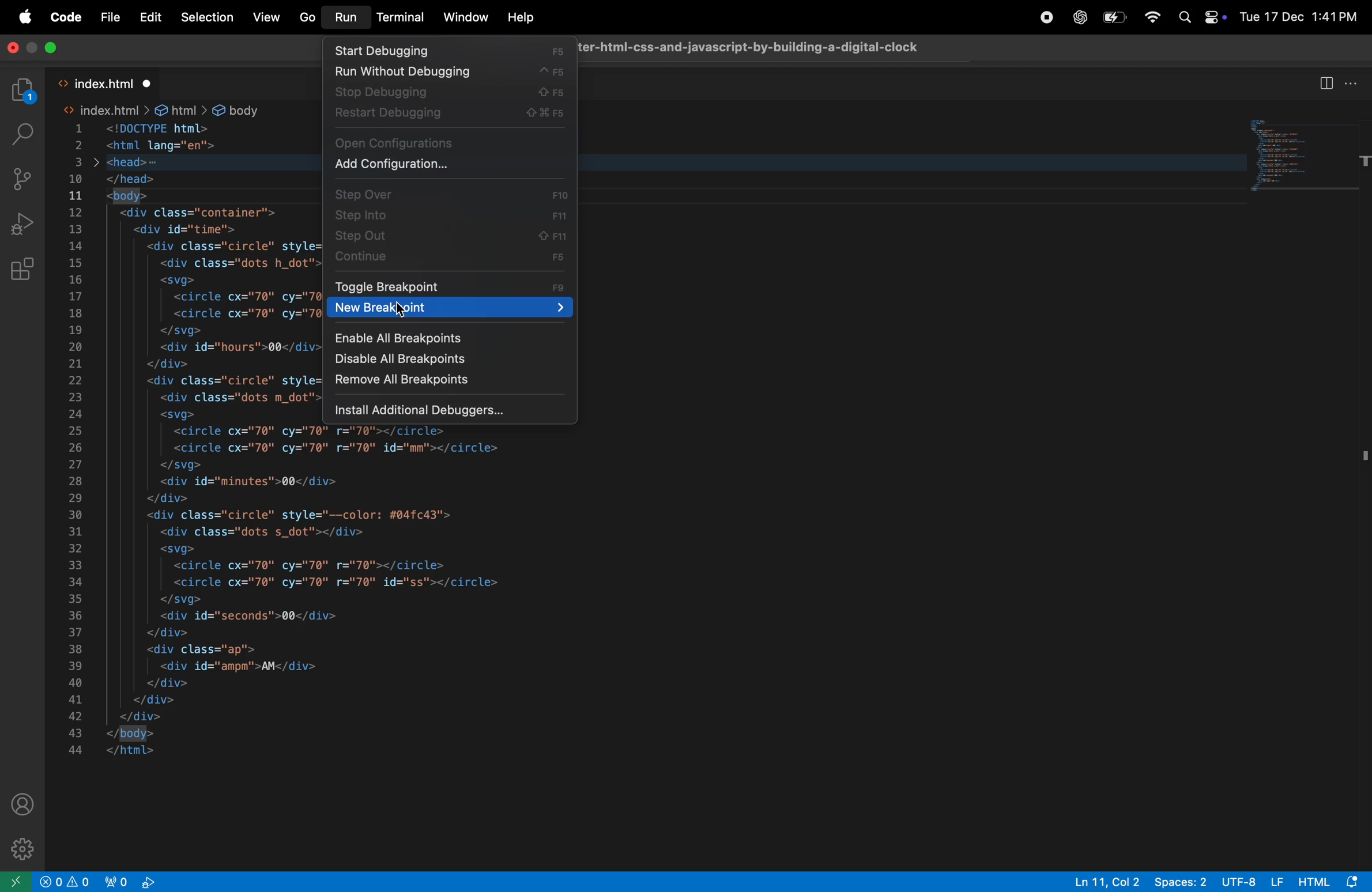 The height and width of the screenshot is (892, 1372). I want to click on Selection, so click(205, 17).